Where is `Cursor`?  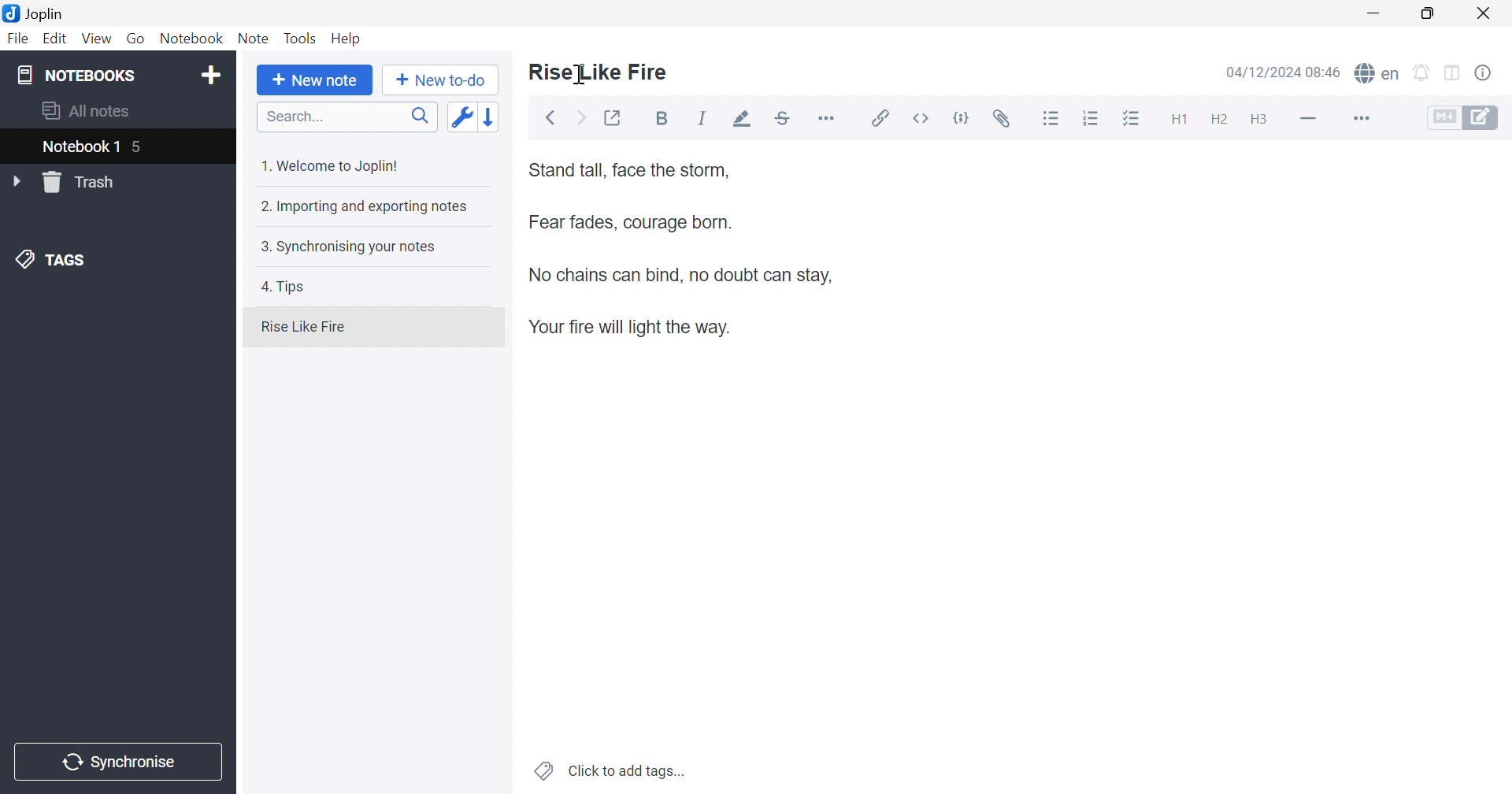 Cursor is located at coordinates (577, 73).